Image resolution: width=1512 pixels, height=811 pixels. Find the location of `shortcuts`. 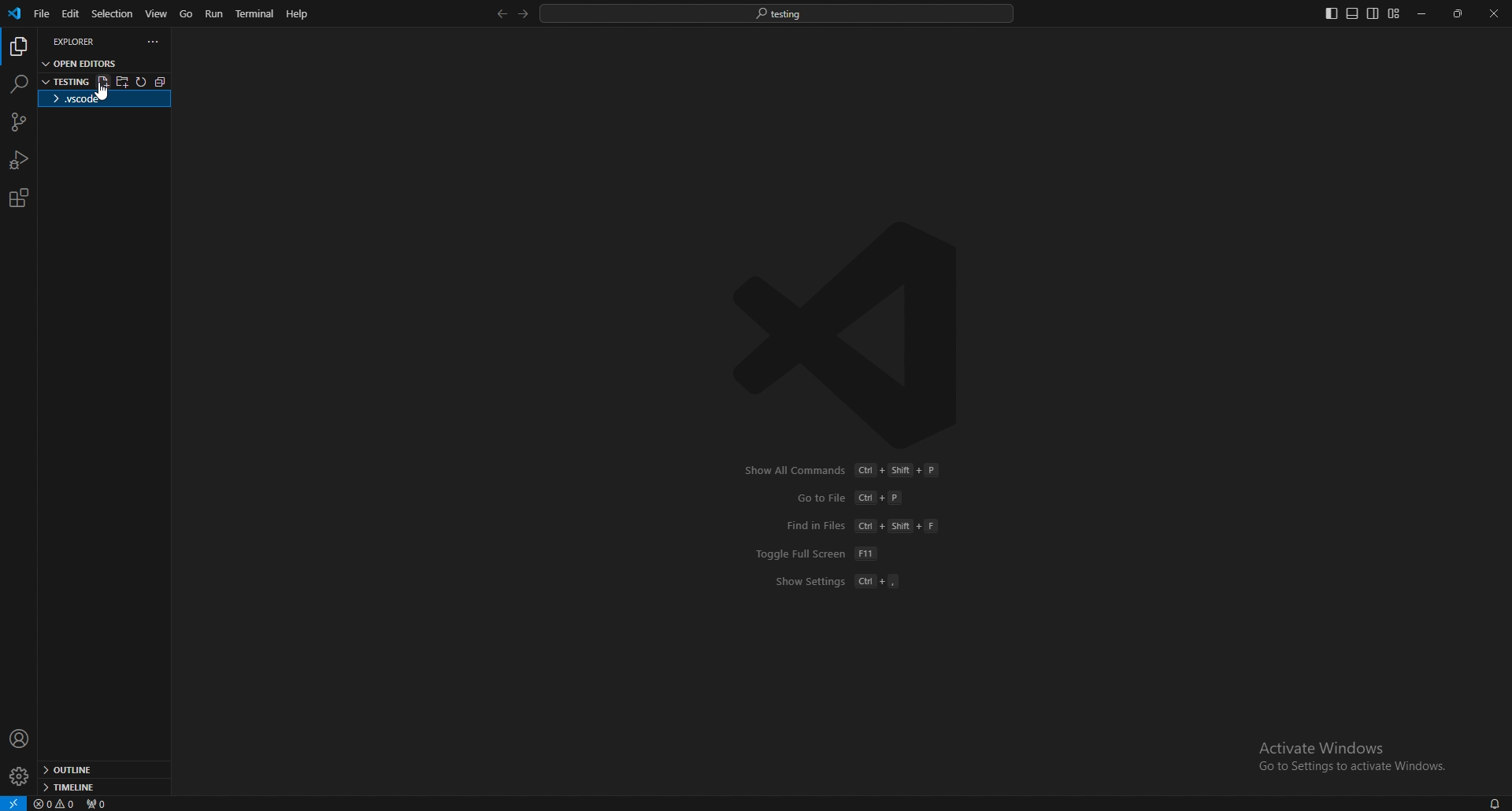

shortcuts is located at coordinates (849, 526).